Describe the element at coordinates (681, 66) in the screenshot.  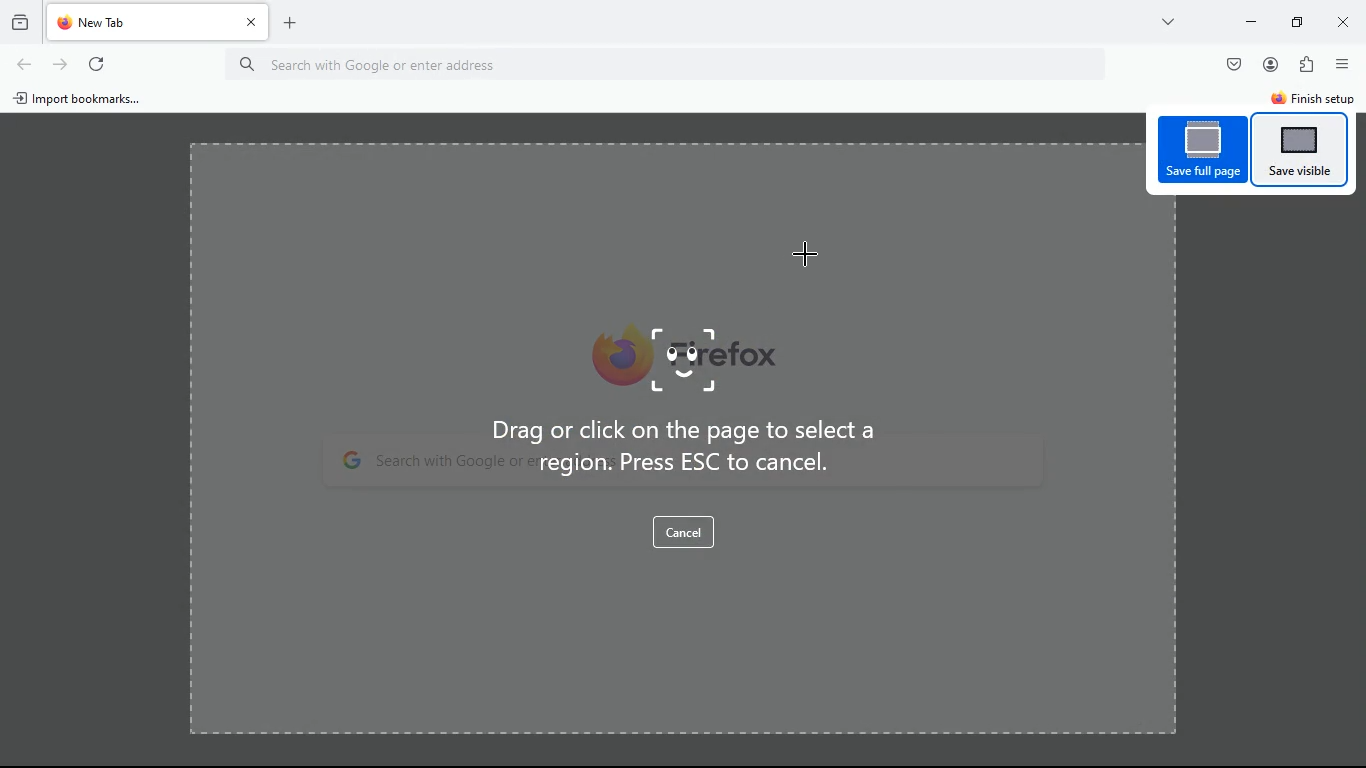
I see `Search bar` at that location.